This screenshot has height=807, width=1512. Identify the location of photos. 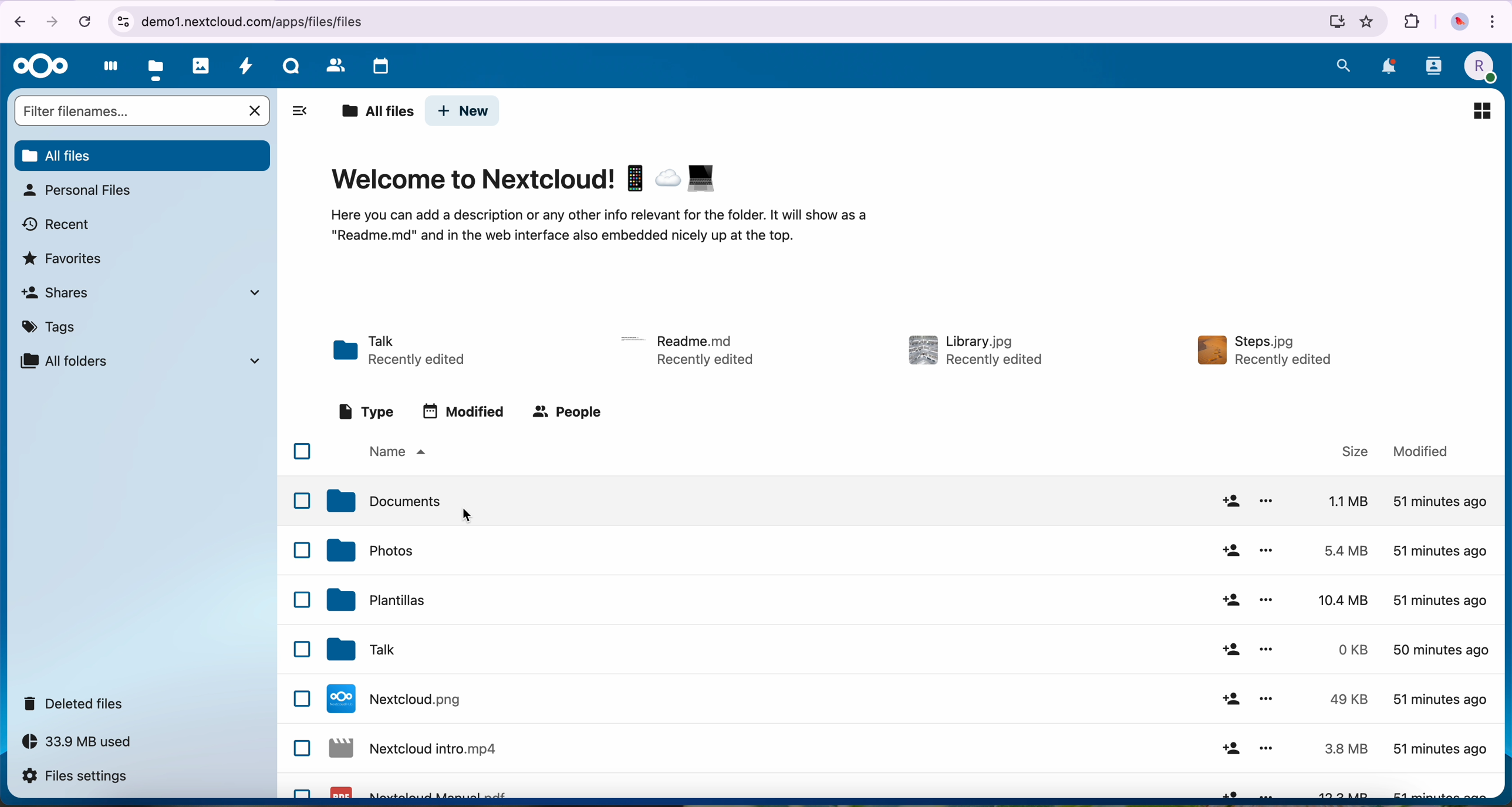
(369, 551).